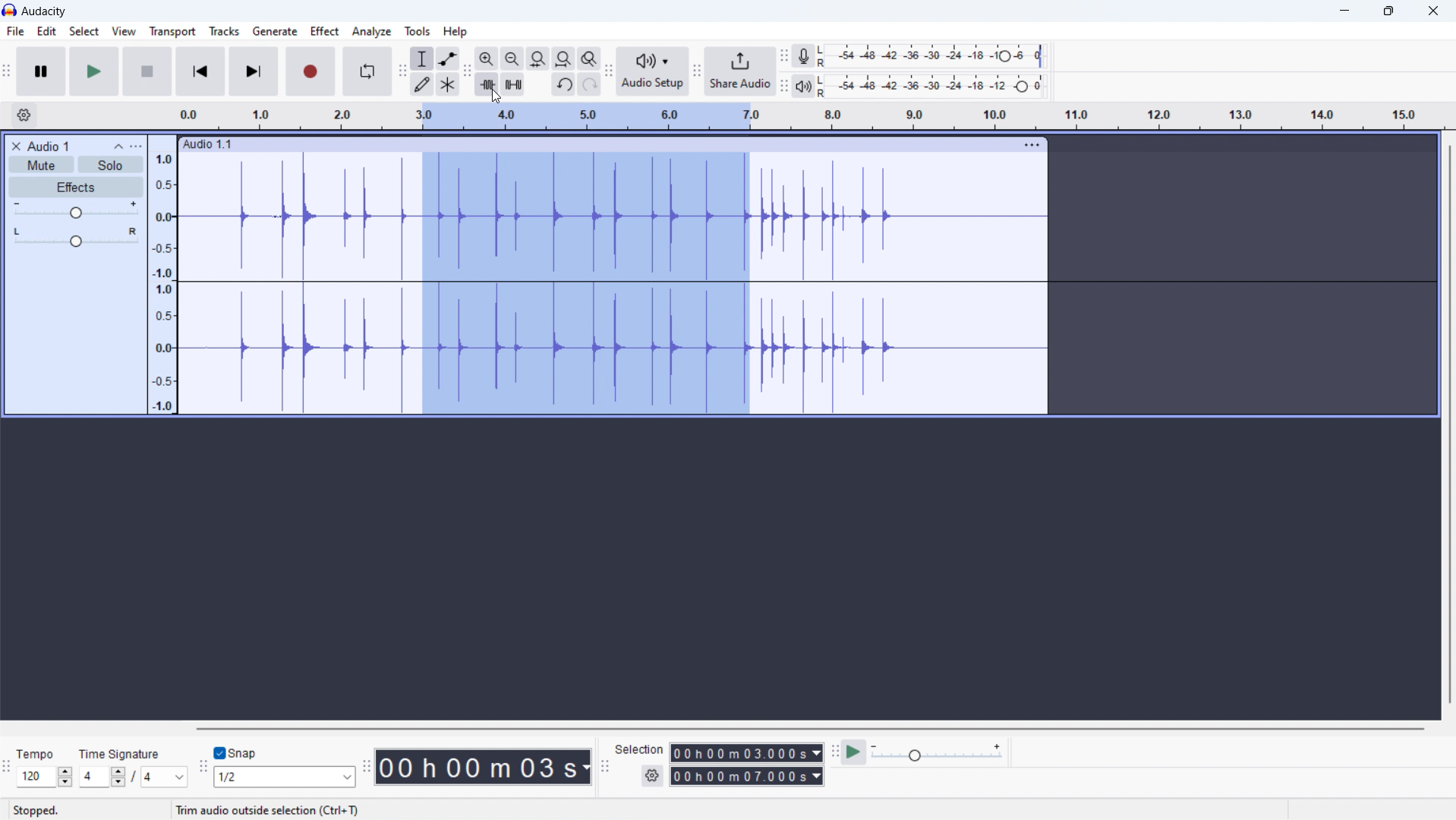 Image resolution: width=1456 pixels, height=820 pixels. What do you see at coordinates (448, 84) in the screenshot?
I see `multi tool` at bounding box center [448, 84].